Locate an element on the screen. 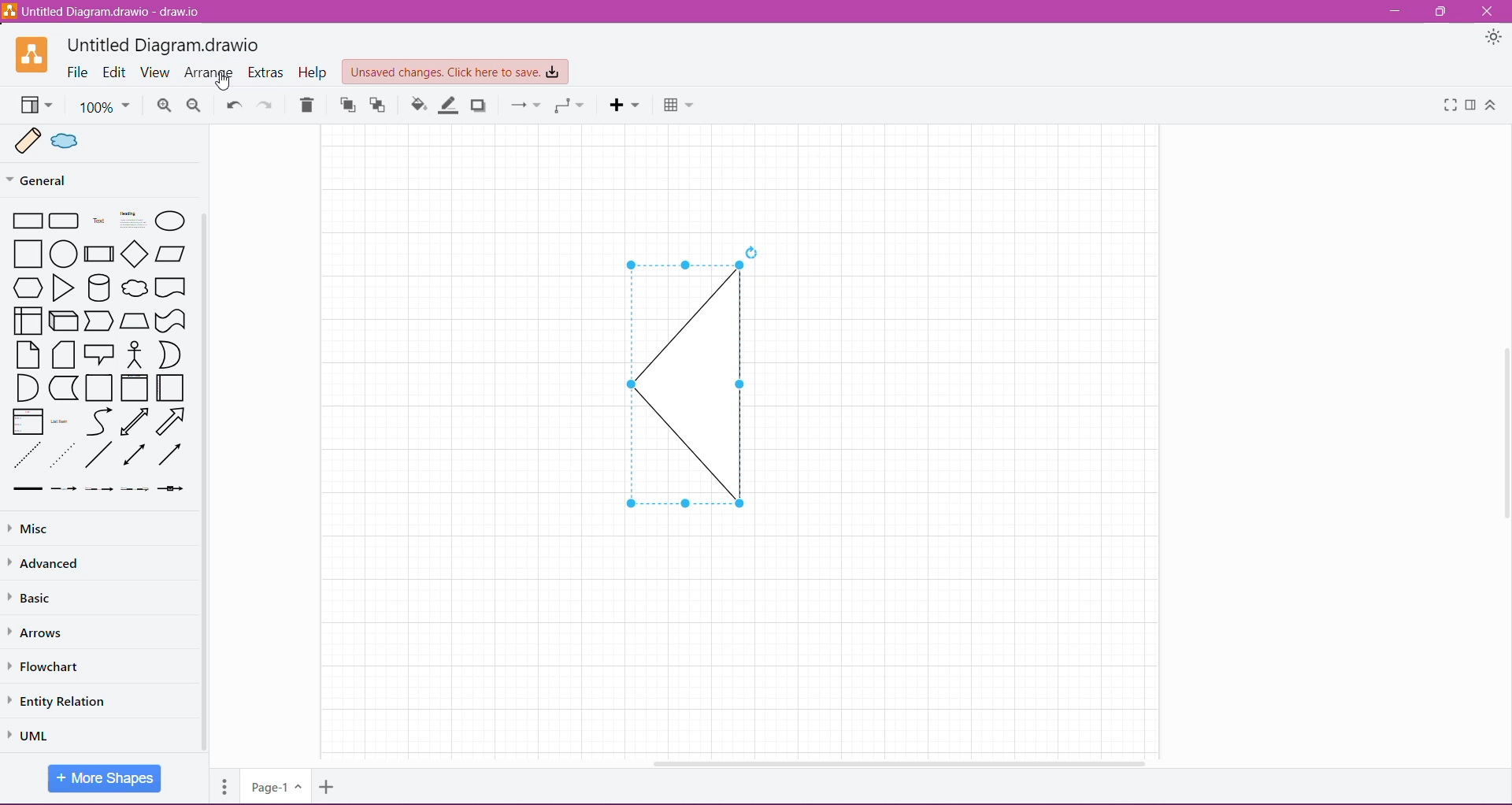  Vertical Scroll Bar is located at coordinates (206, 483).